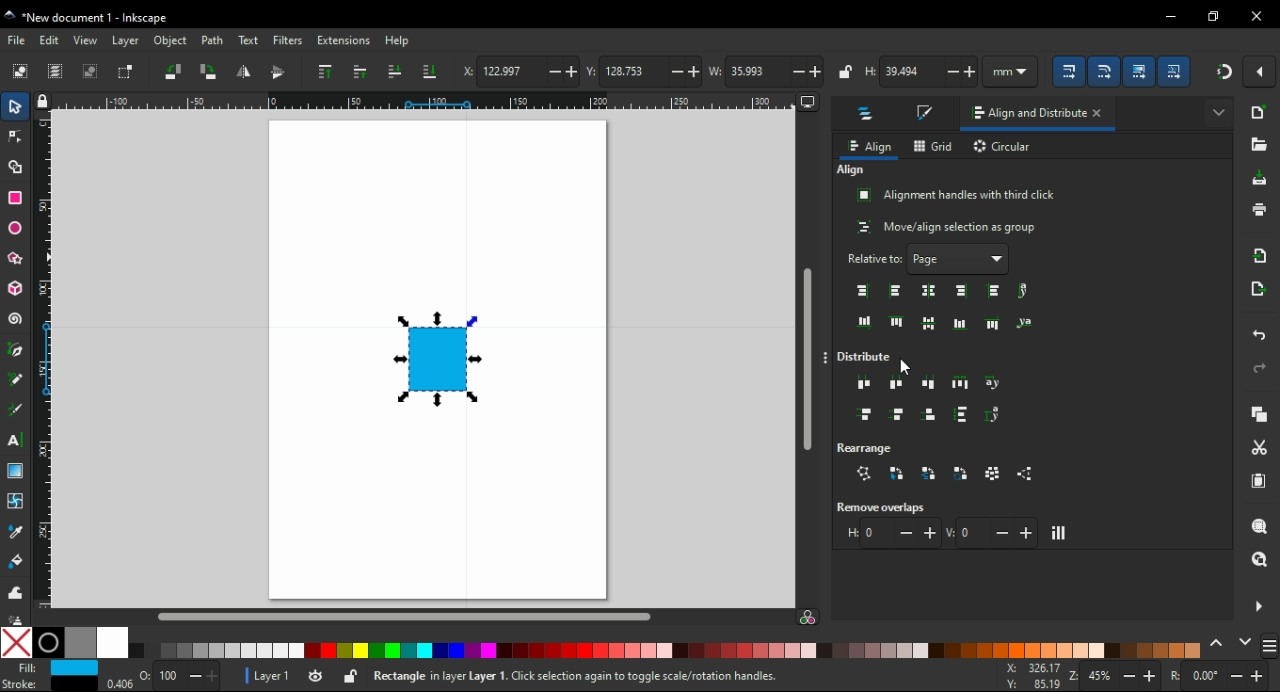 This screenshot has width=1280, height=692. Describe the element at coordinates (326, 71) in the screenshot. I see `raise to top` at that location.